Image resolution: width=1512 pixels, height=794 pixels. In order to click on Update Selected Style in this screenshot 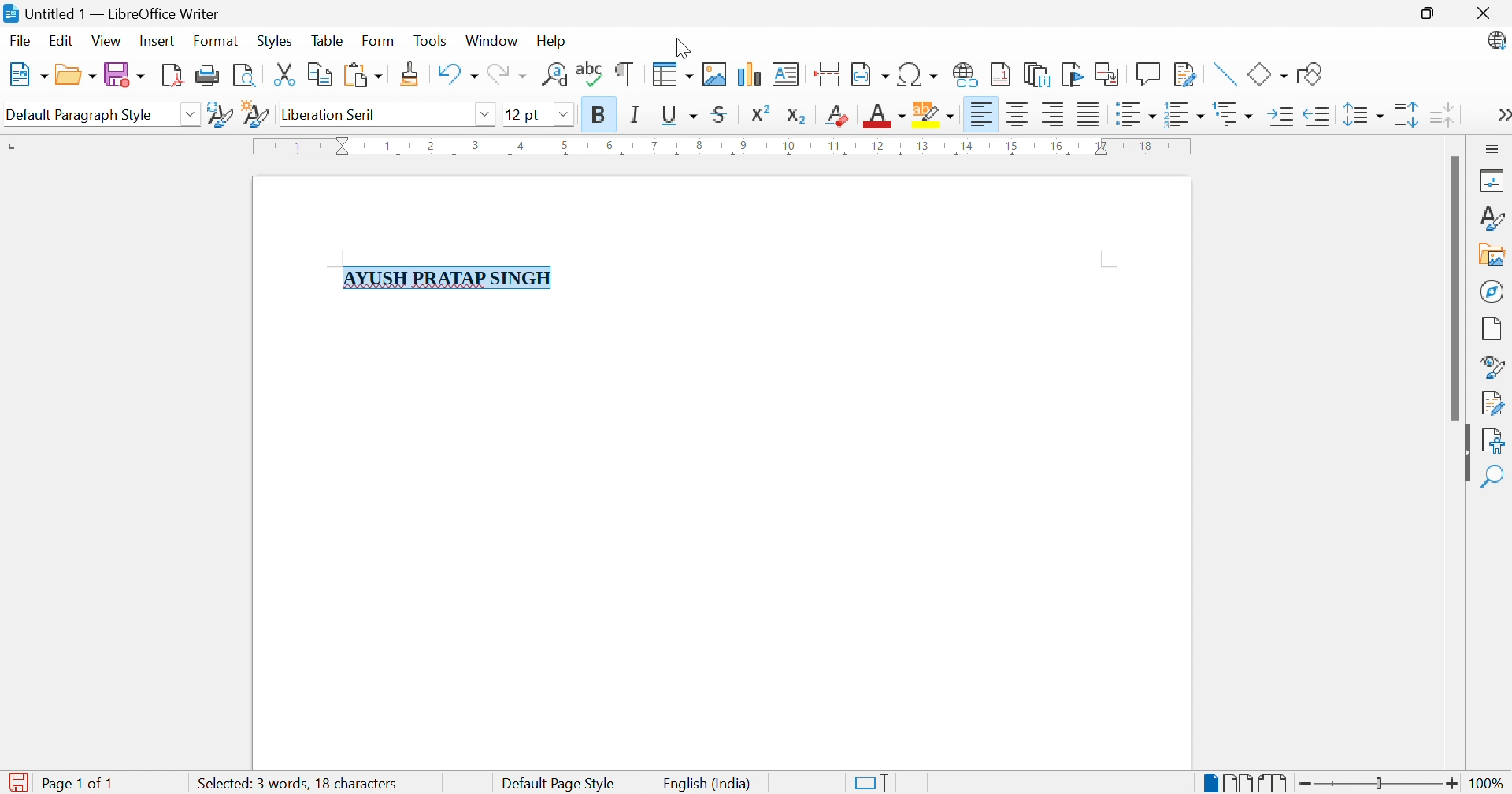, I will do `click(220, 114)`.